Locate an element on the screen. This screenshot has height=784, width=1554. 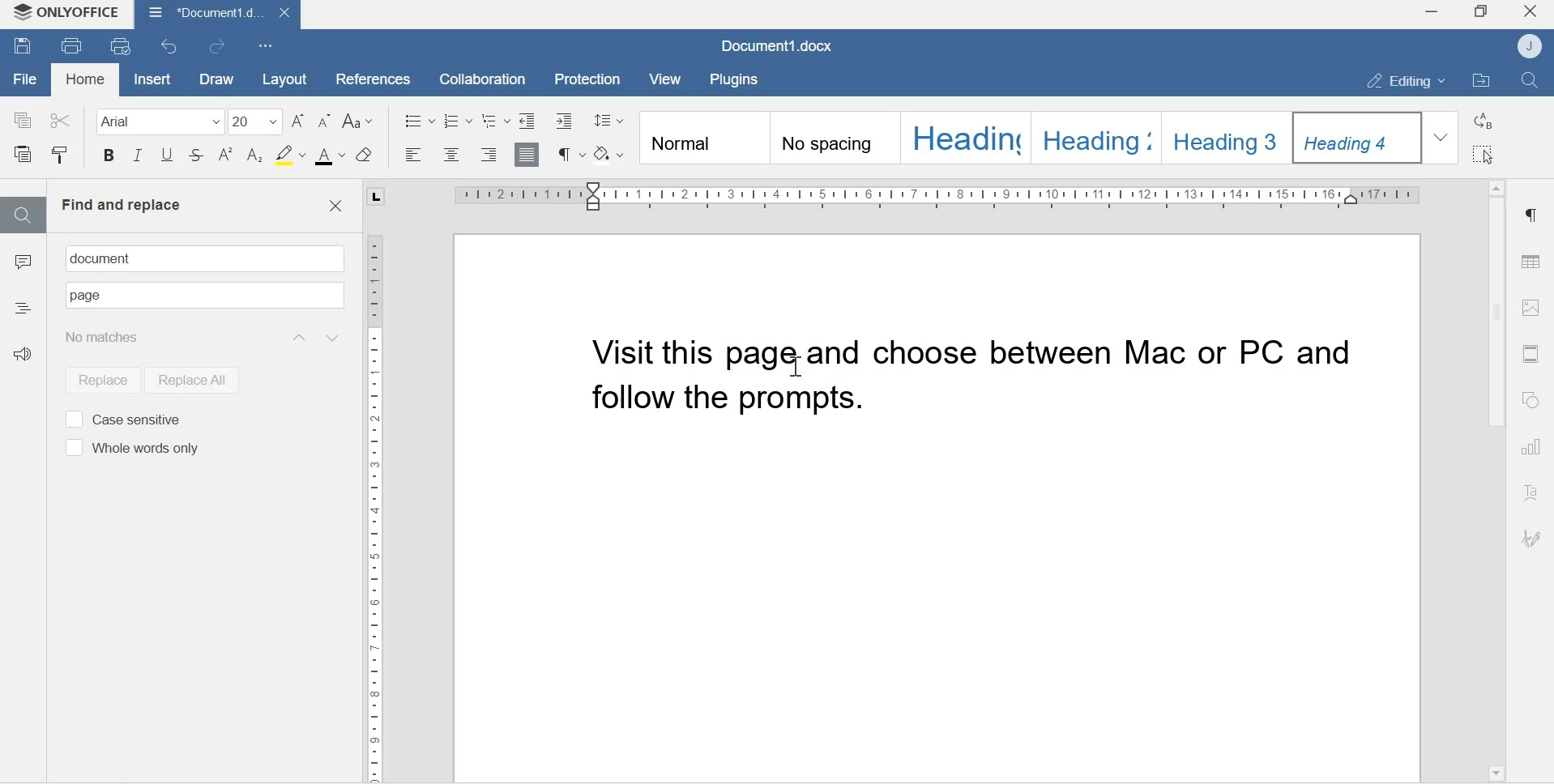
Replace is located at coordinates (97, 378).